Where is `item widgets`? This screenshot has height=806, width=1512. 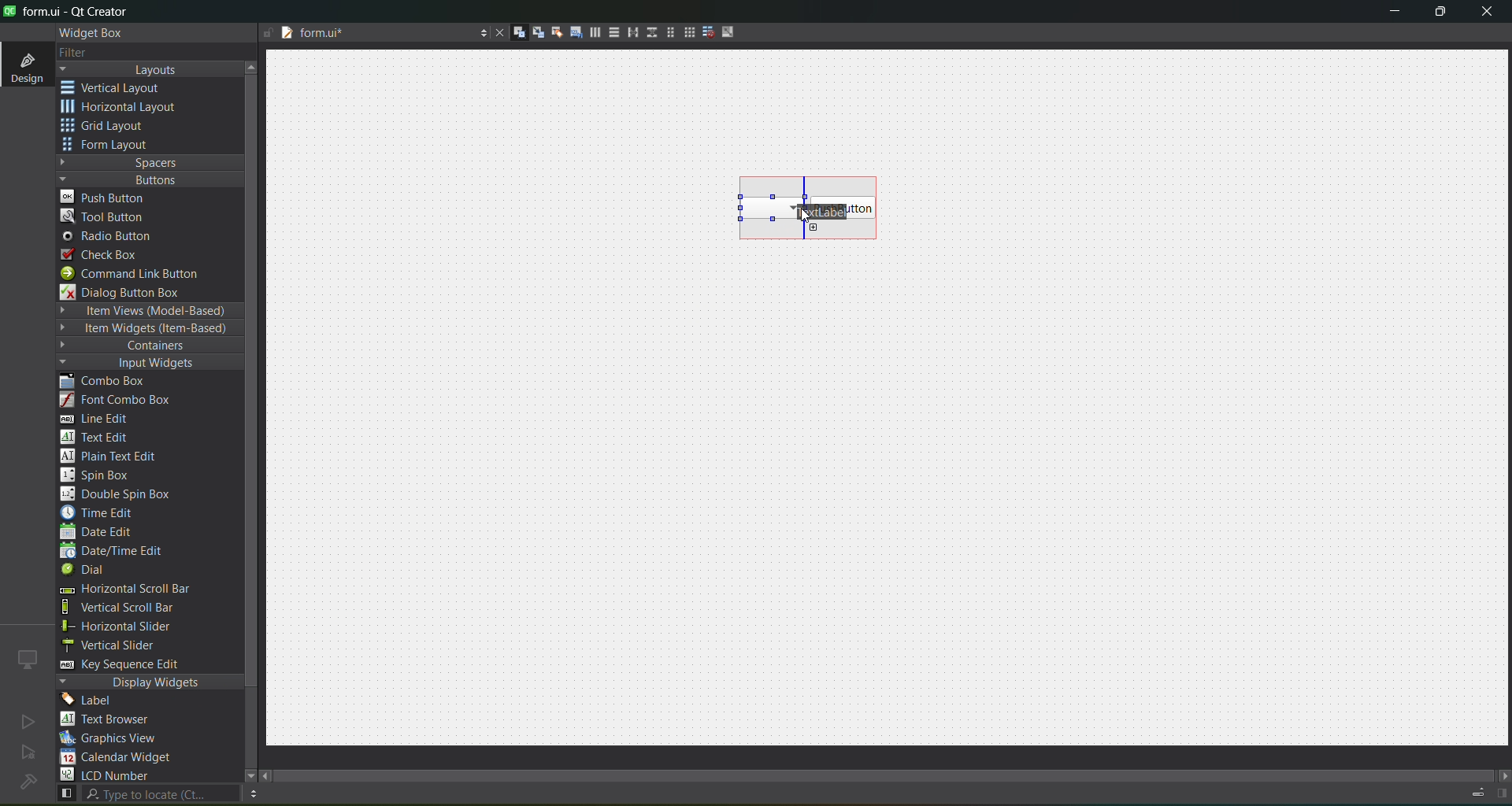 item widgets is located at coordinates (146, 329).